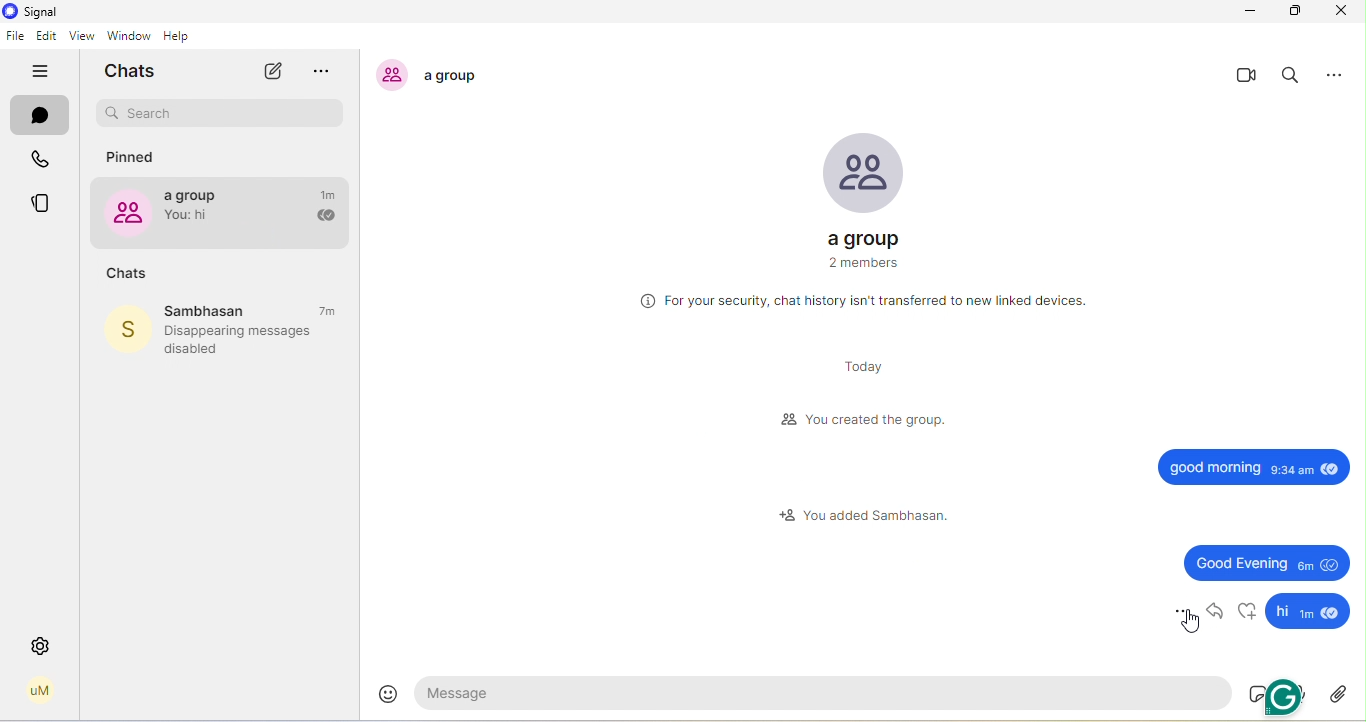  Describe the element at coordinates (183, 36) in the screenshot. I see `help` at that location.